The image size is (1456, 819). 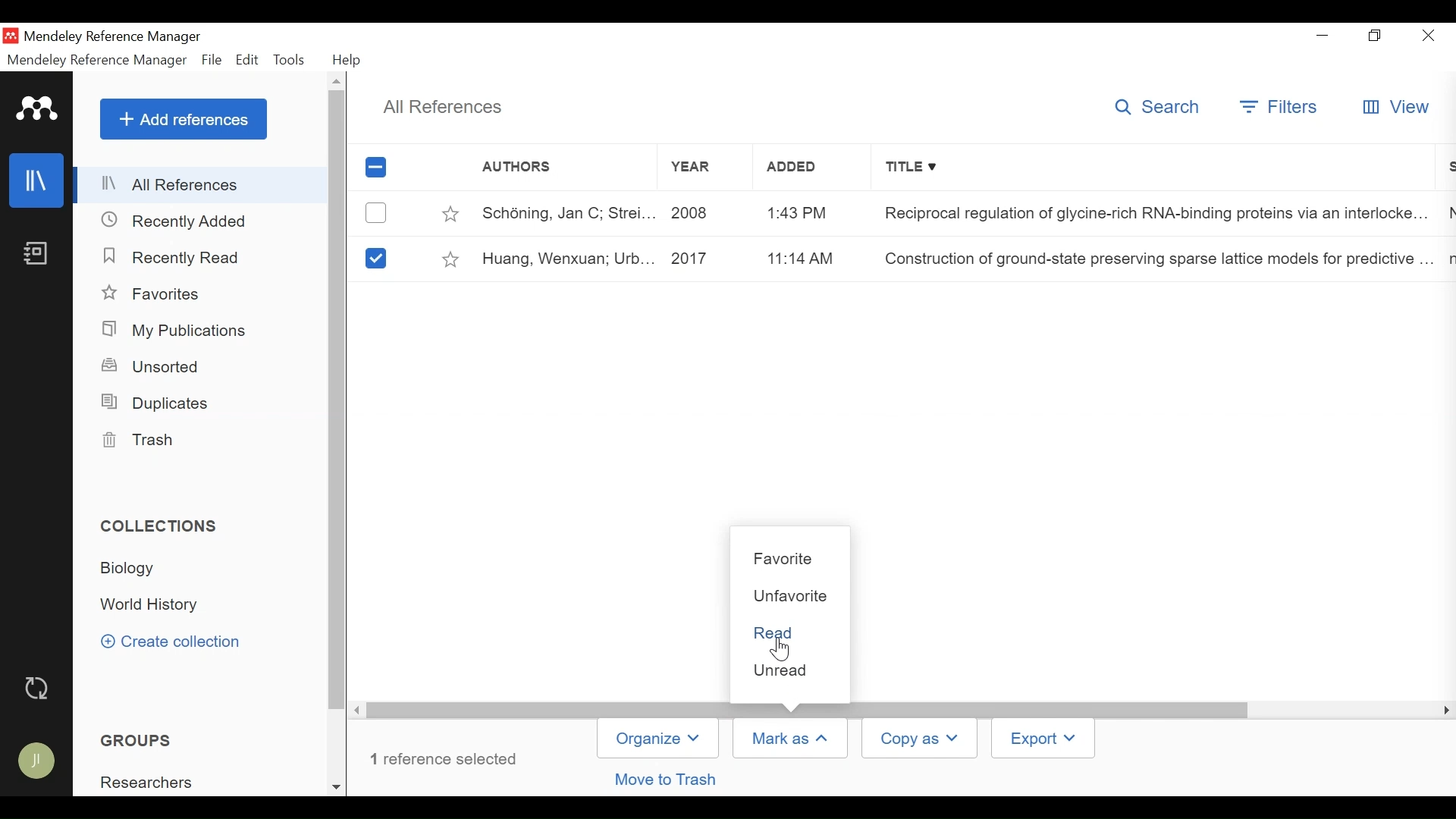 What do you see at coordinates (782, 649) in the screenshot?
I see `Cursor` at bounding box center [782, 649].